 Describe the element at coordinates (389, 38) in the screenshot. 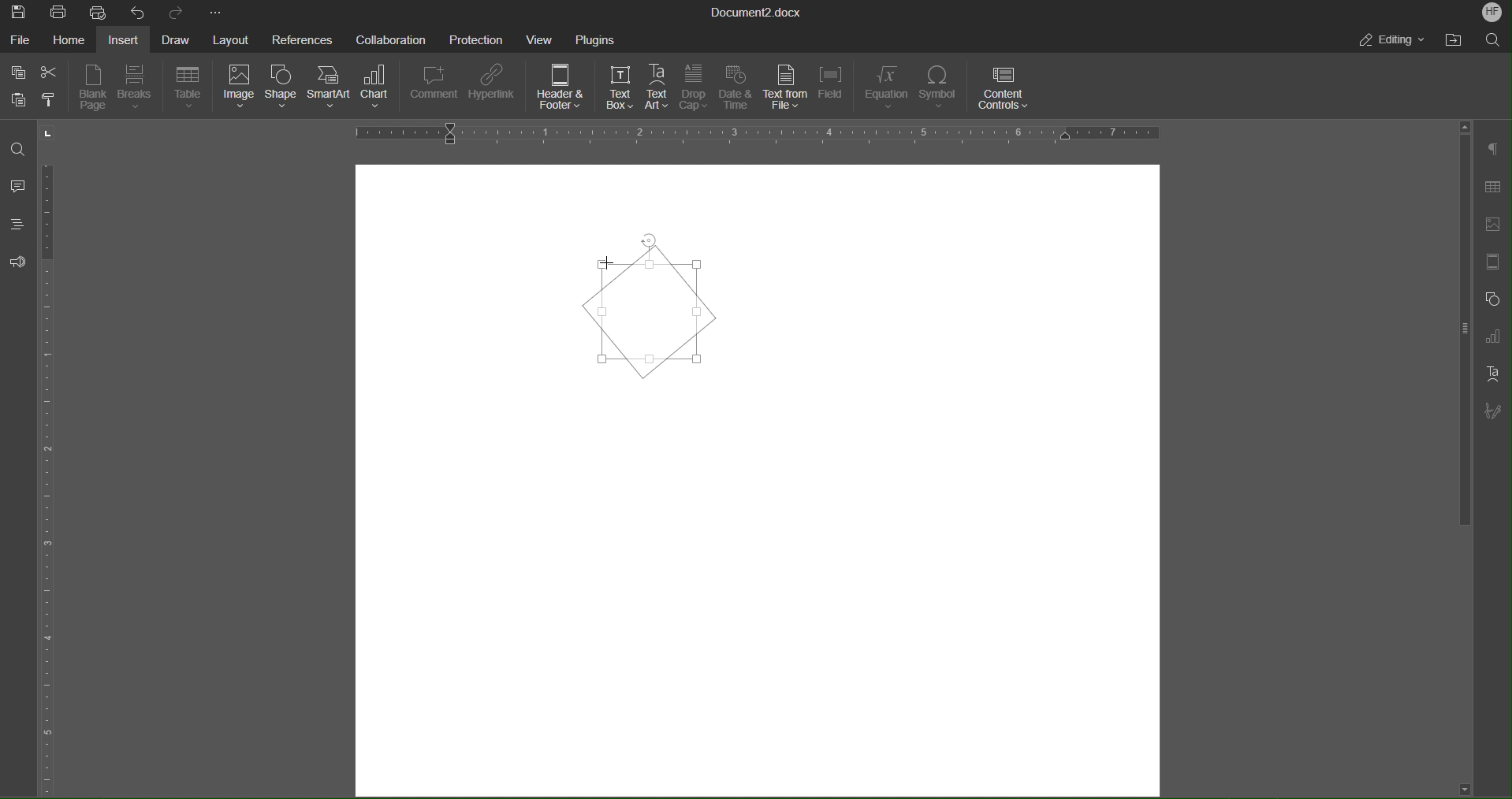

I see `Collaboration` at that location.